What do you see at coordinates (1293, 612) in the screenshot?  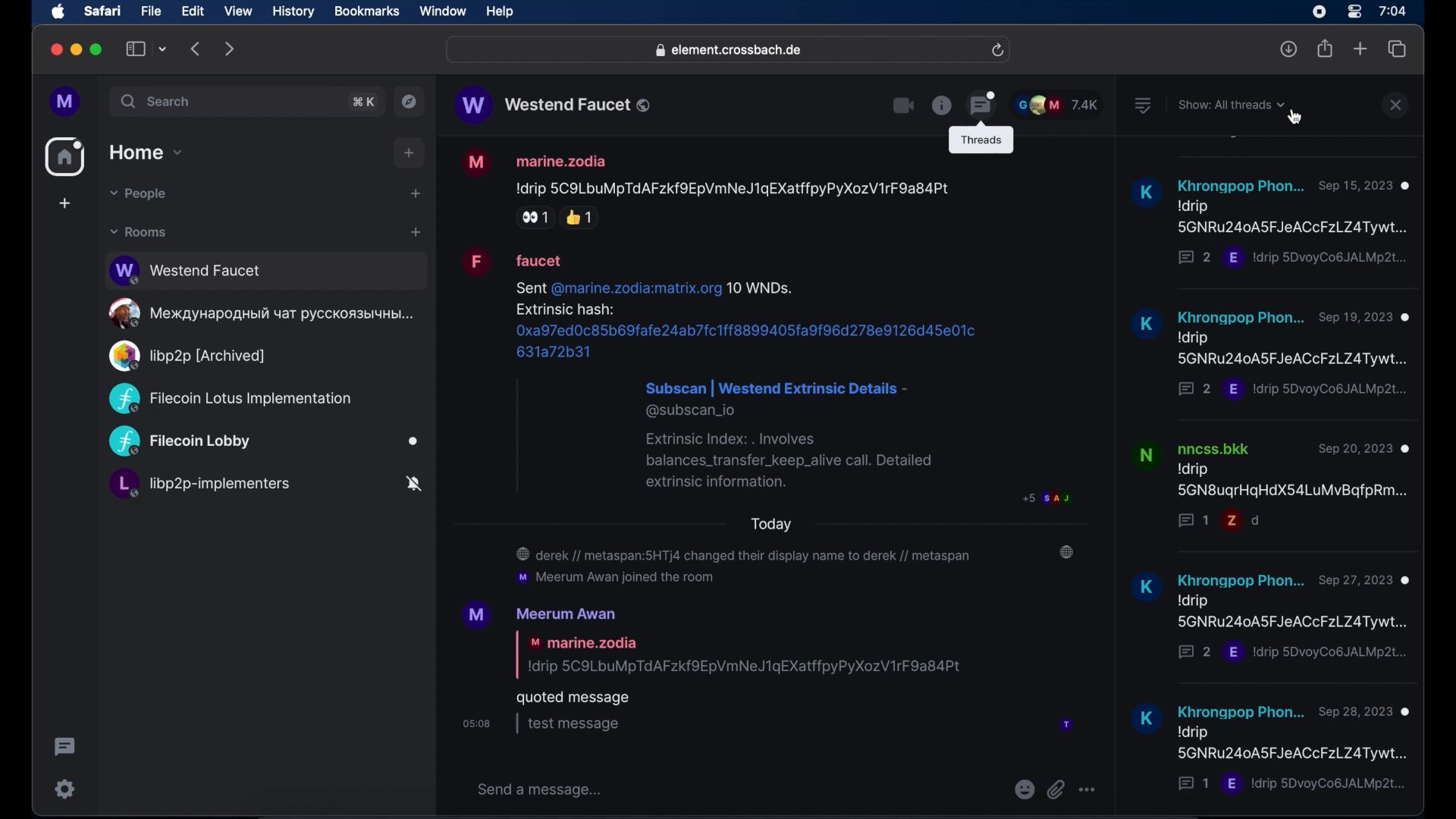 I see `Idrip
5GNRu240A5FJeACcFzLZ4Tywt...` at bounding box center [1293, 612].